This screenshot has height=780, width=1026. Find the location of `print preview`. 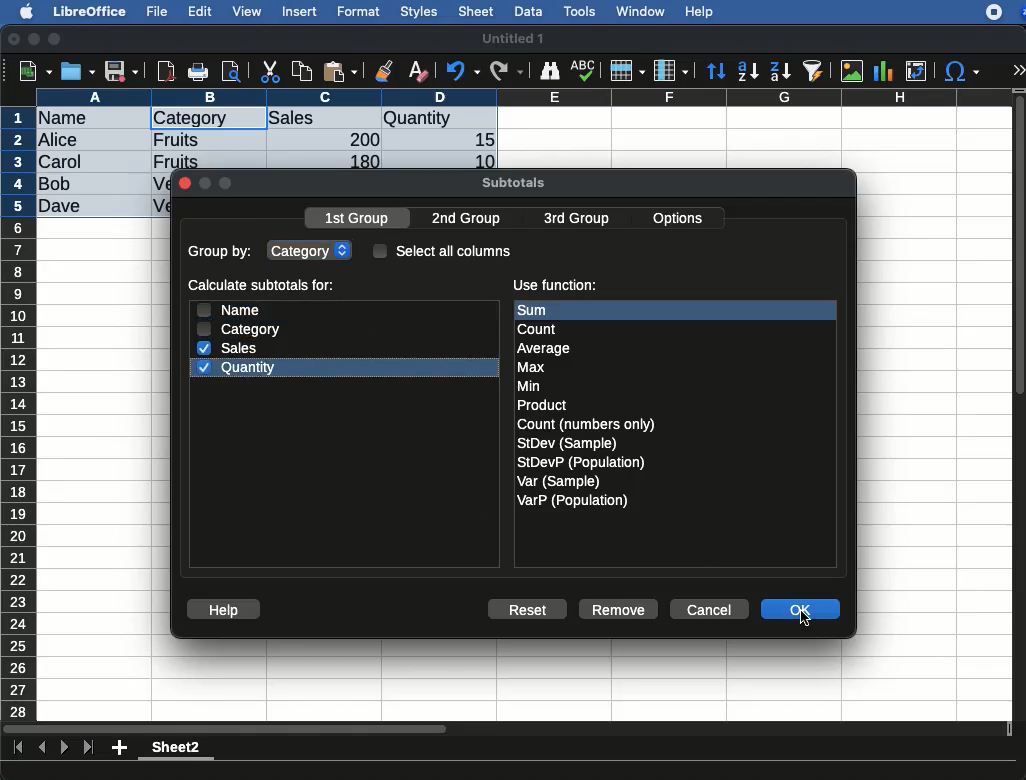

print preview is located at coordinates (231, 73).